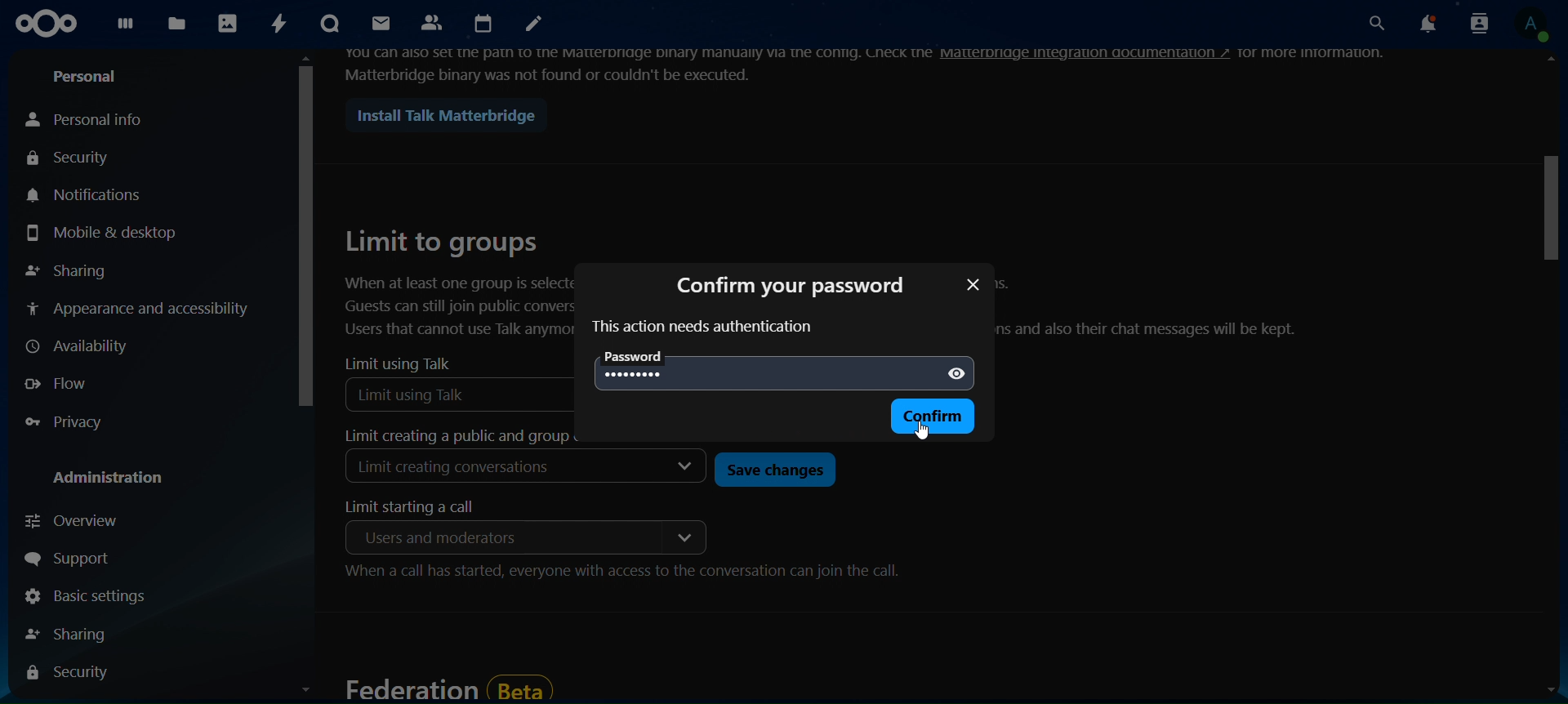 The width and height of the screenshot is (1568, 704). What do you see at coordinates (1530, 24) in the screenshot?
I see `view profile` at bounding box center [1530, 24].